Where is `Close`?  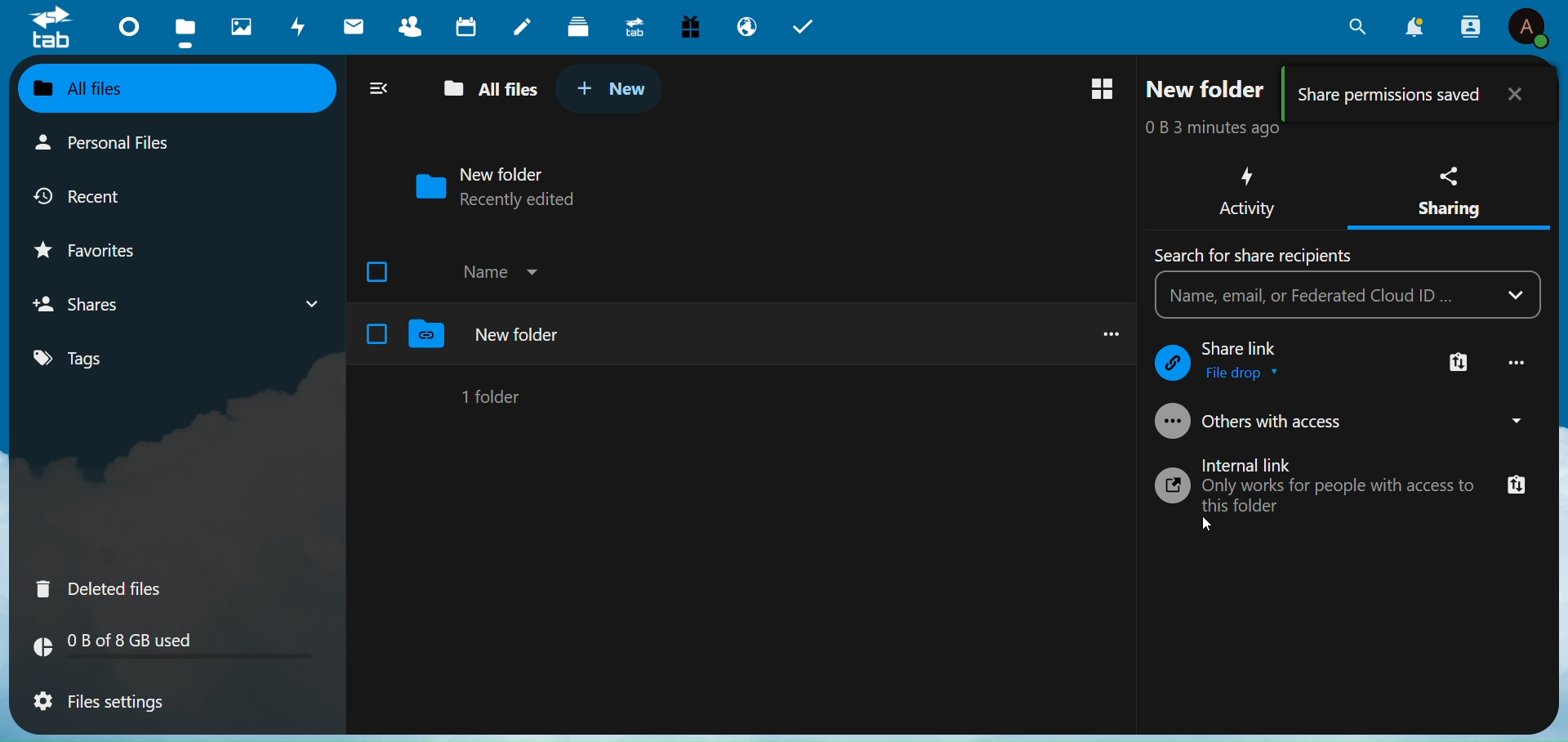
Close is located at coordinates (1519, 92).